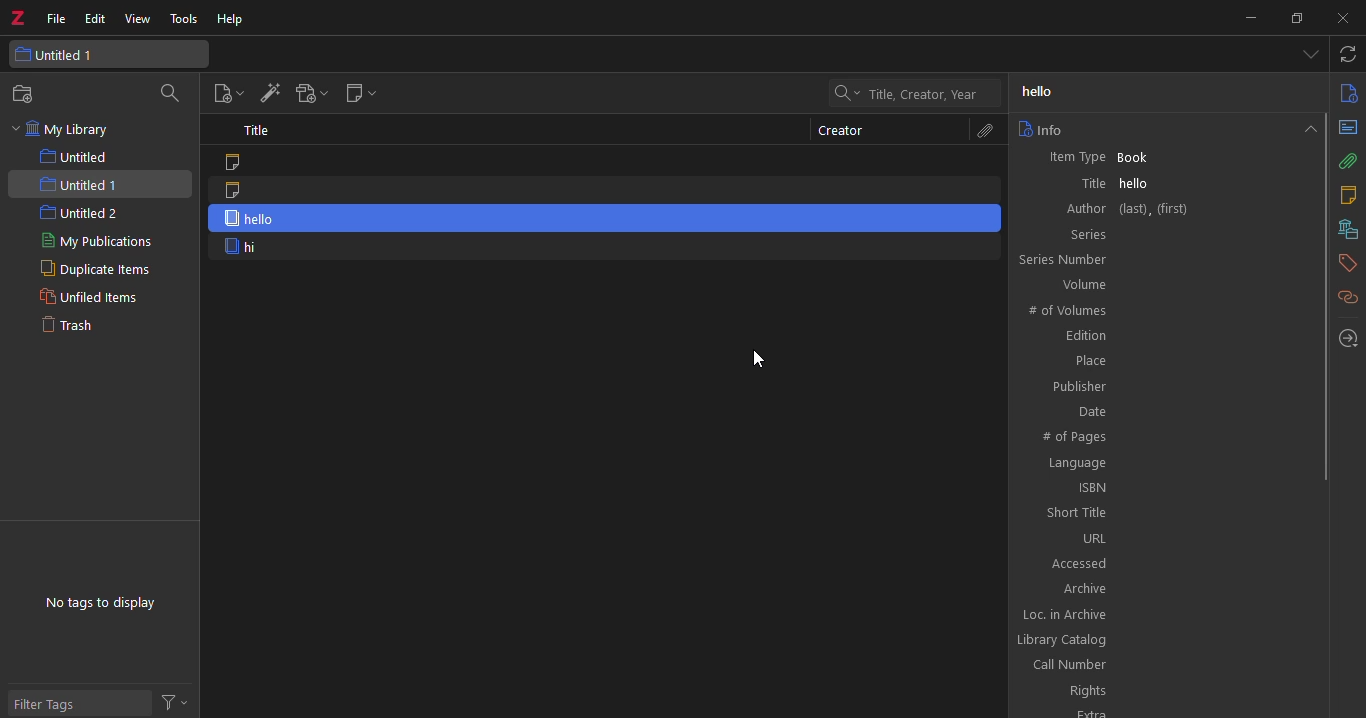  Describe the element at coordinates (84, 157) in the screenshot. I see `untitled` at that location.